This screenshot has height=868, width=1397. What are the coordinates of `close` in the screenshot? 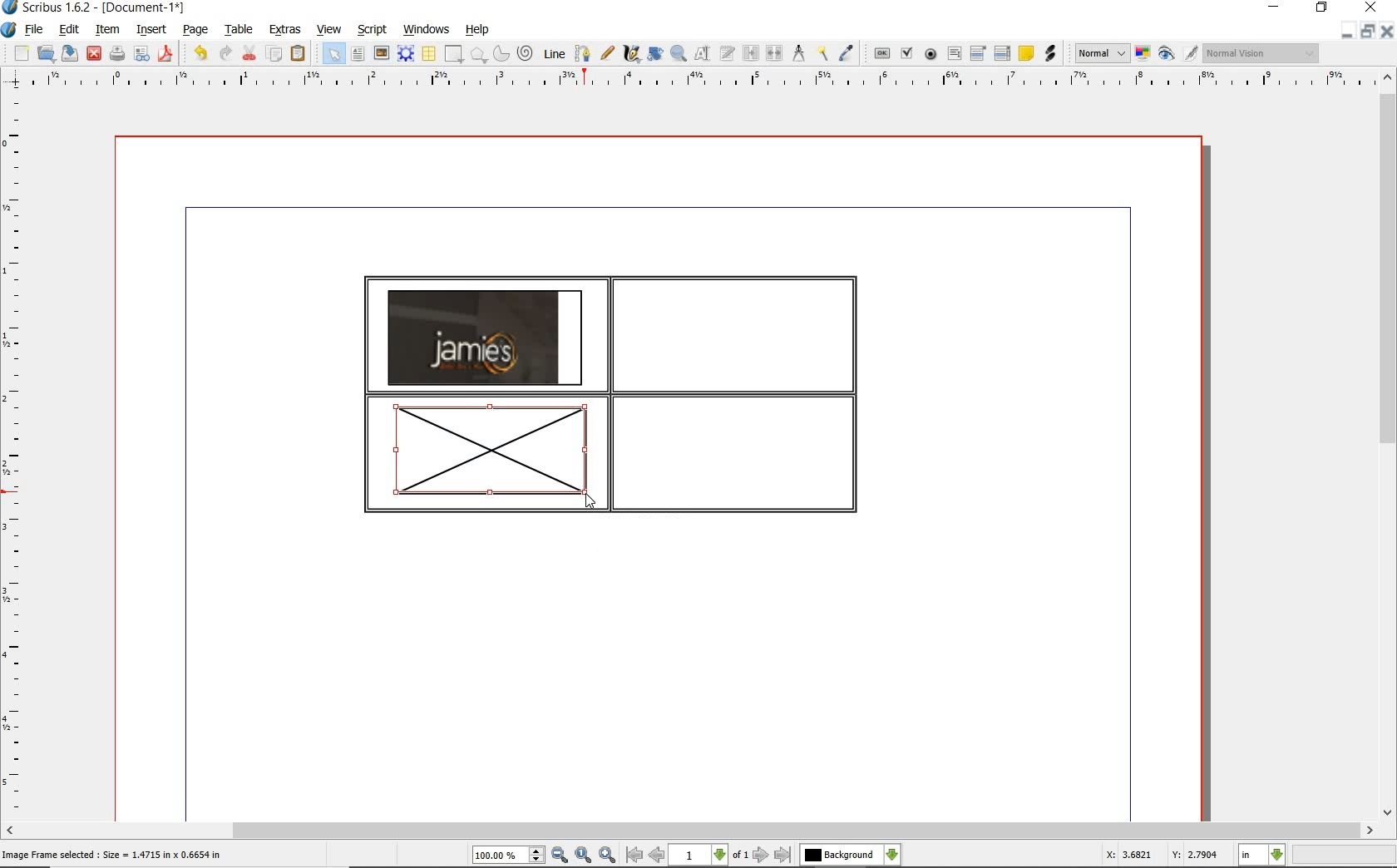 It's located at (93, 52).